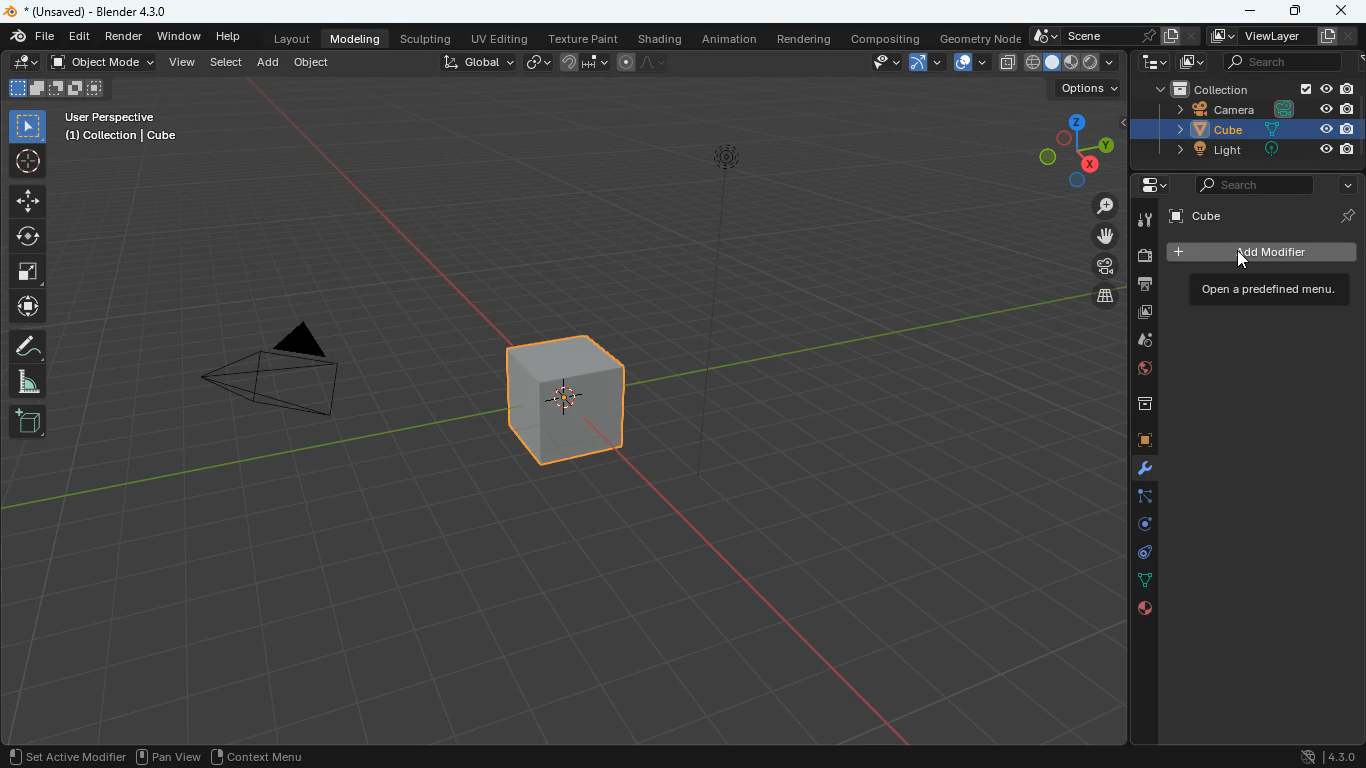 This screenshot has height=768, width=1366. What do you see at coordinates (119, 757) in the screenshot?
I see `region` at bounding box center [119, 757].